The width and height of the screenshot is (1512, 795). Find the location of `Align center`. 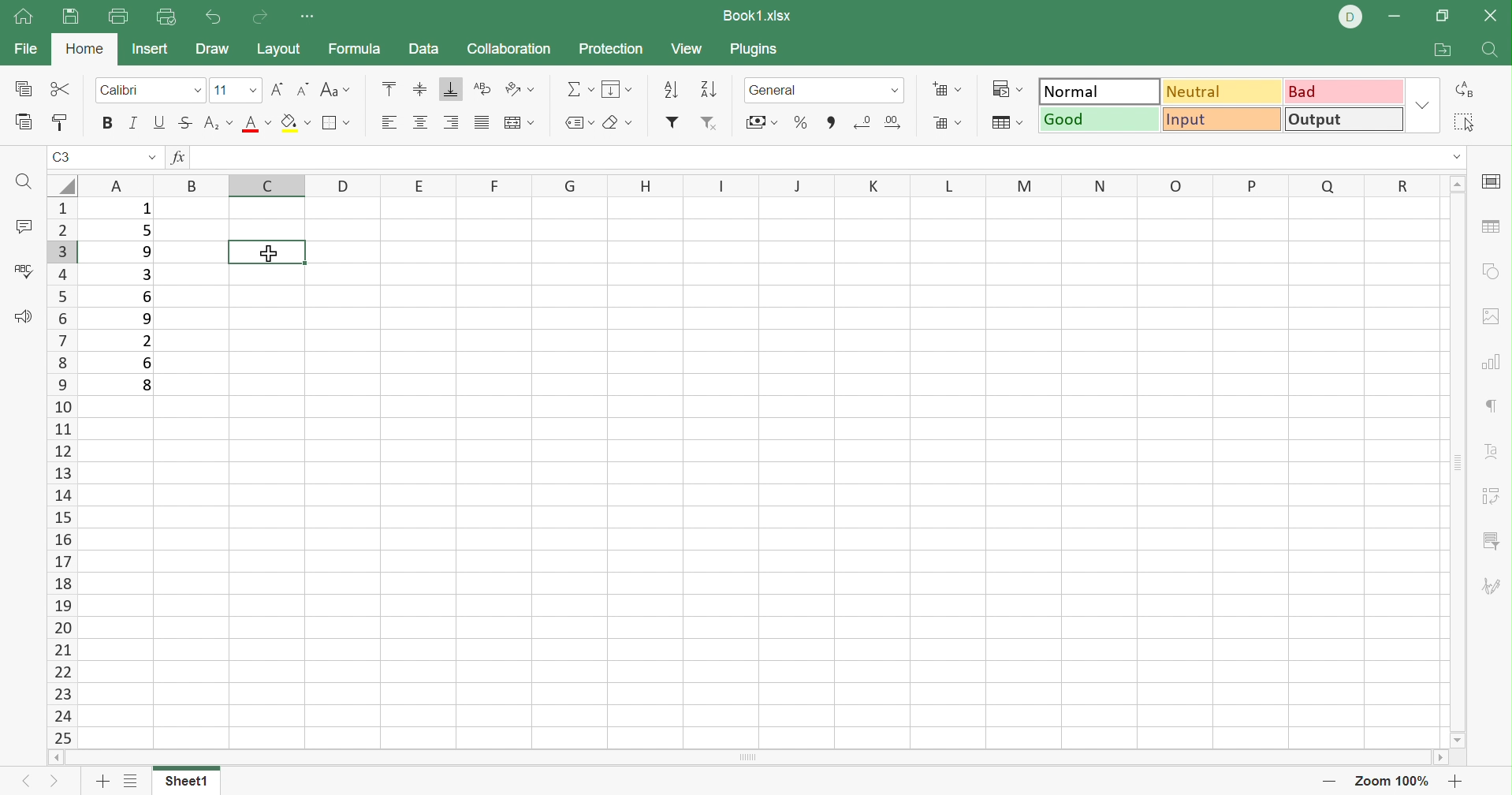

Align center is located at coordinates (421, 124).